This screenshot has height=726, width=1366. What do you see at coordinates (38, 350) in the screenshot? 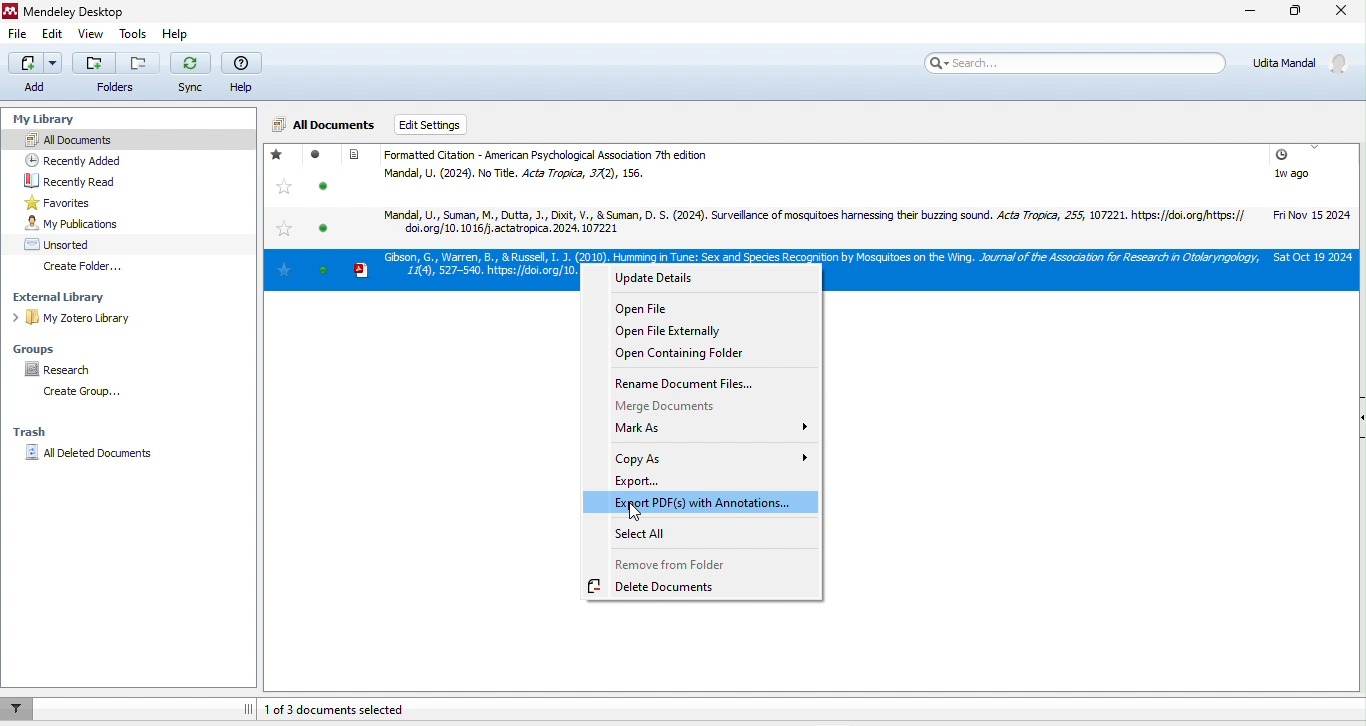
I see `groups` at bounding box center [38, 350].